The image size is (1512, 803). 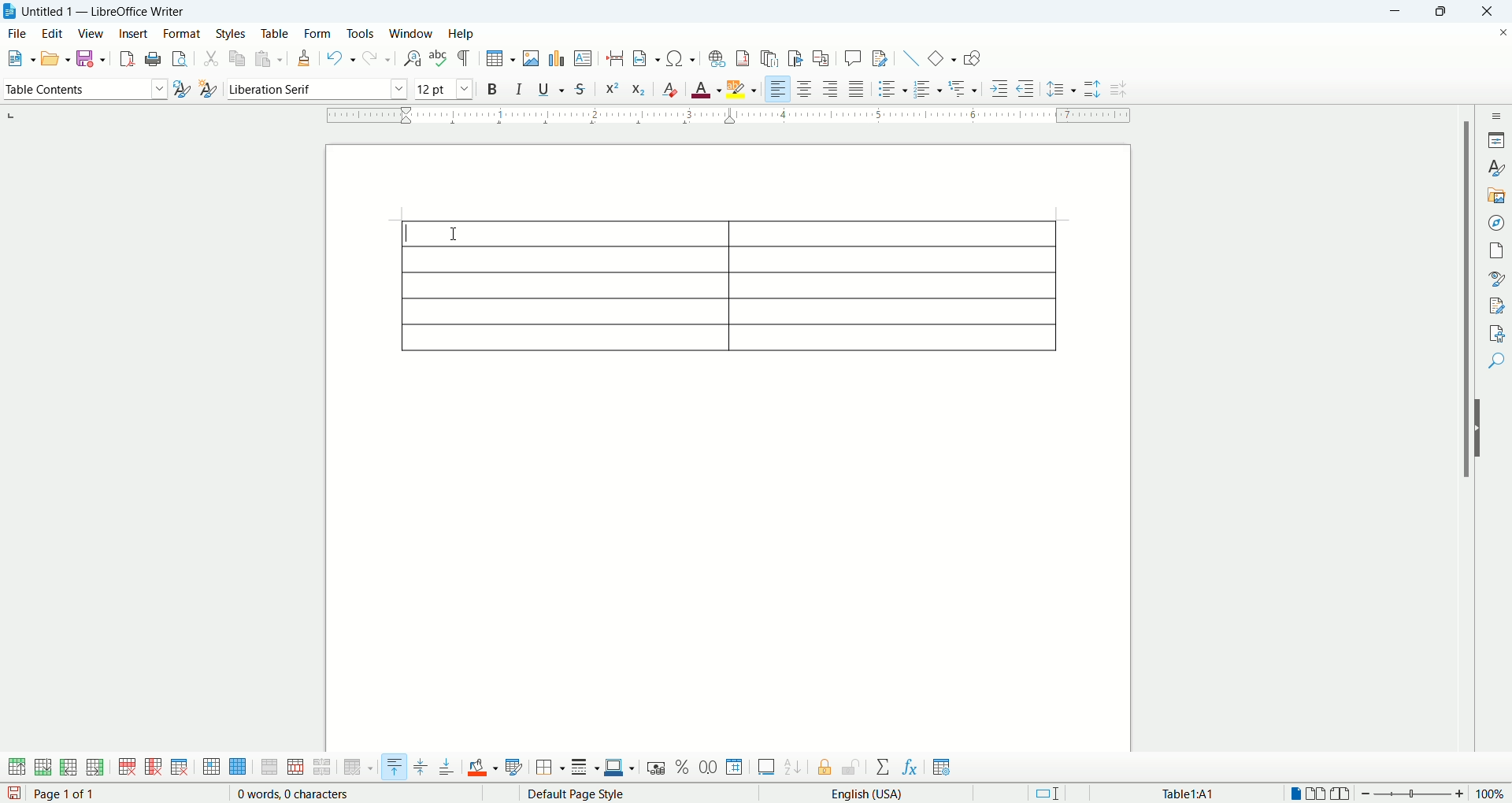 I want to click on zoom percent, so click(x=1492, y=793).